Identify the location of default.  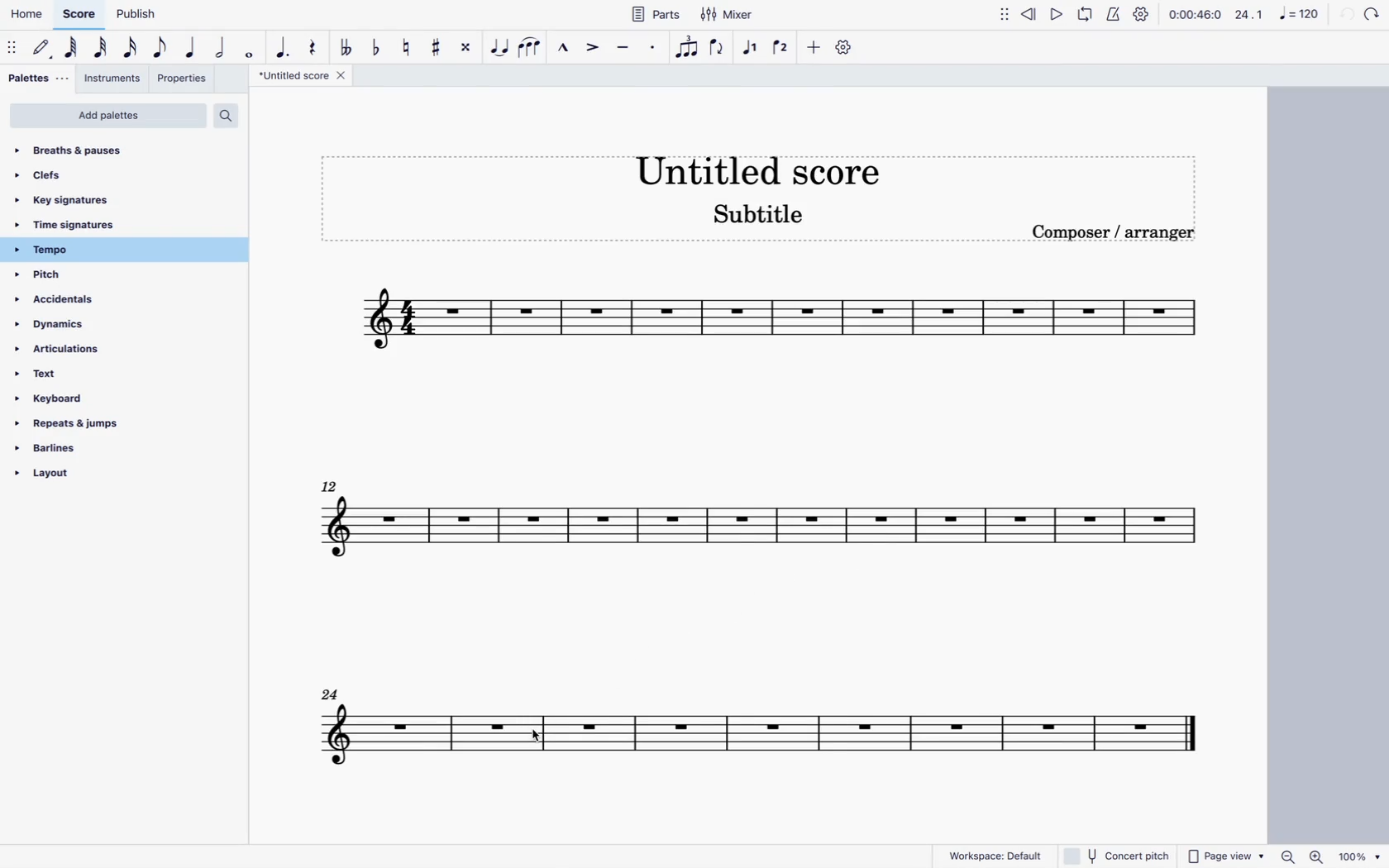
(41, 49).